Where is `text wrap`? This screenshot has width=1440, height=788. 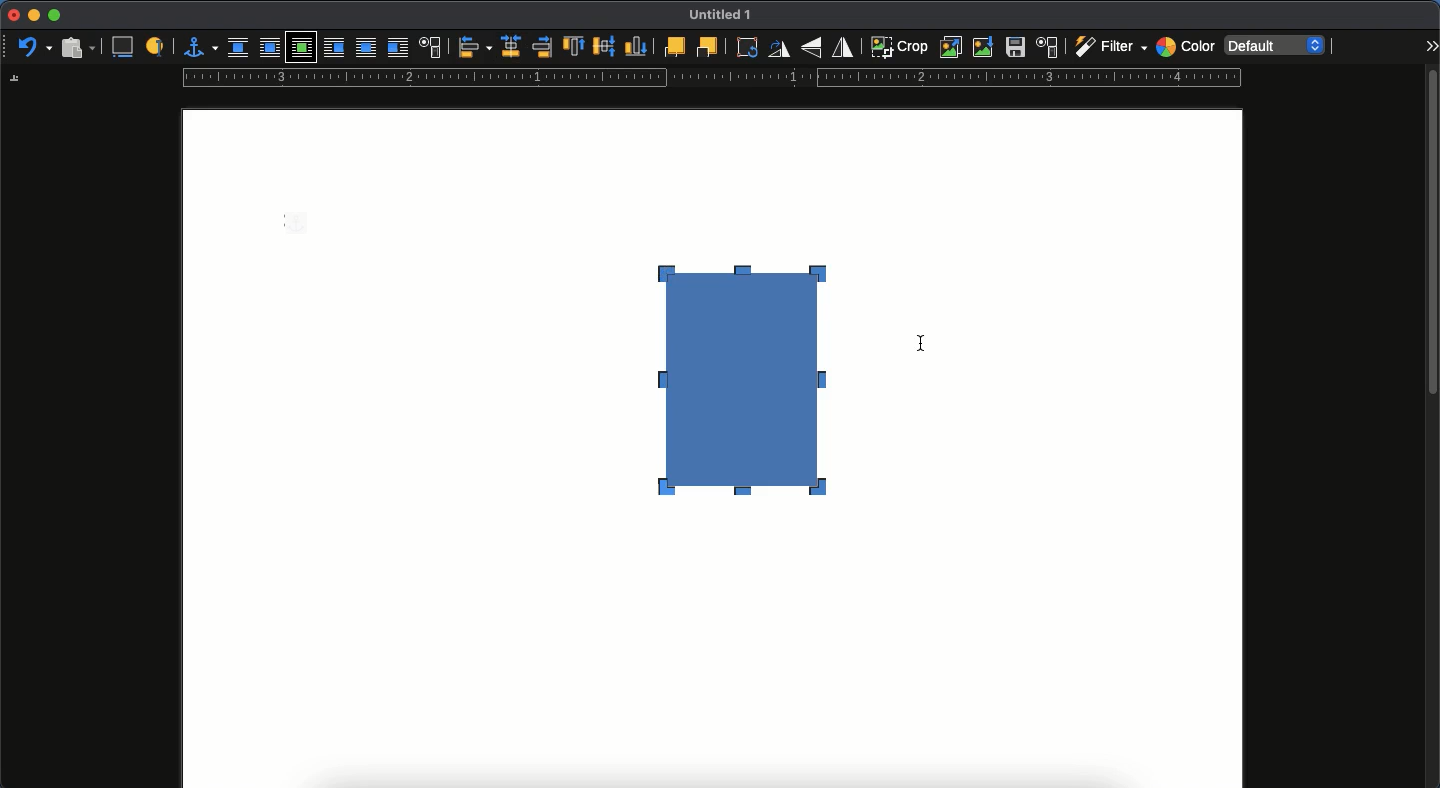
text wrap is located at coordinates (431, 49).